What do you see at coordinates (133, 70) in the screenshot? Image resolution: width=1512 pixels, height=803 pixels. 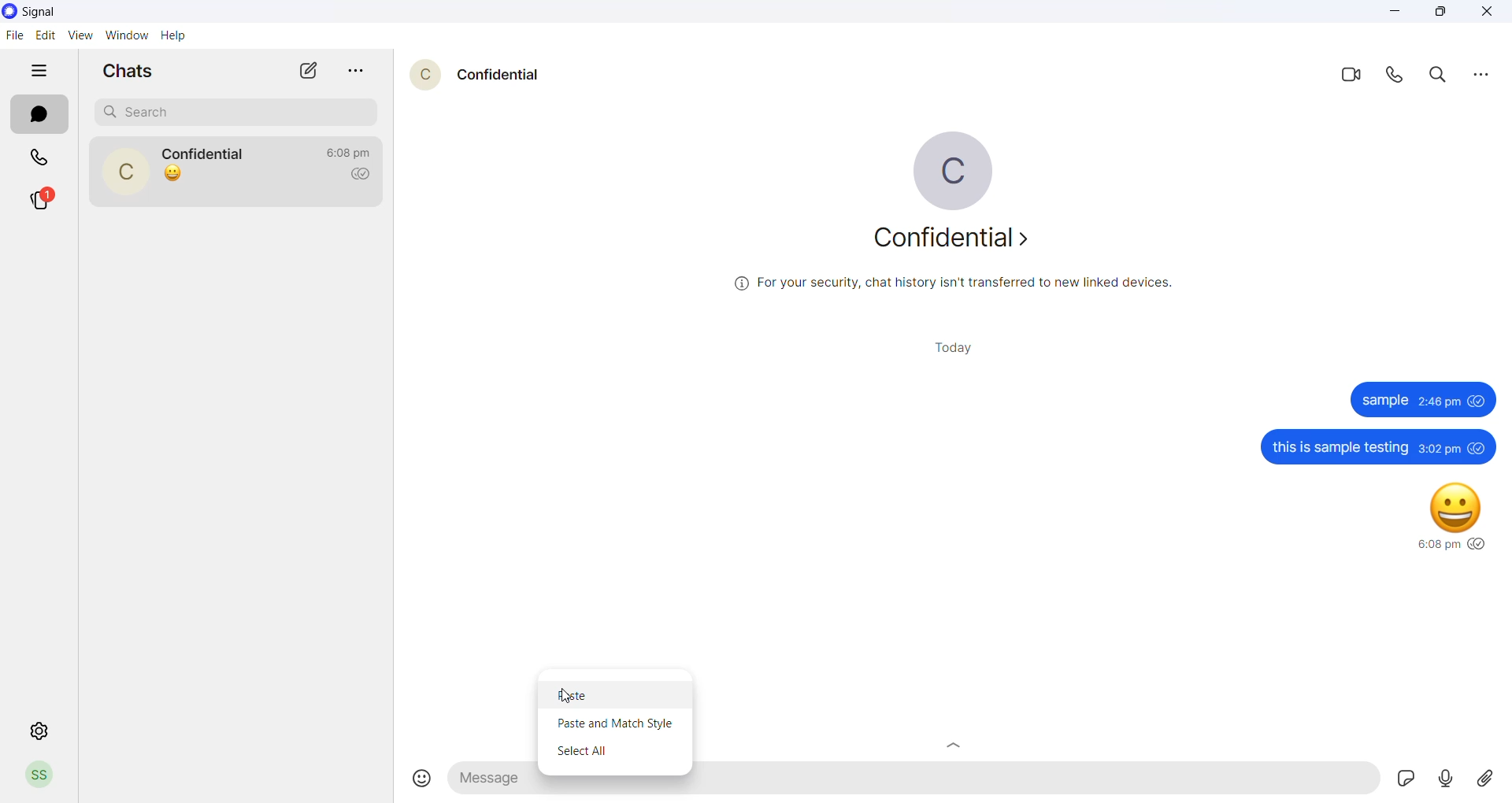 I see `chats` at bounding box center [133, 70].